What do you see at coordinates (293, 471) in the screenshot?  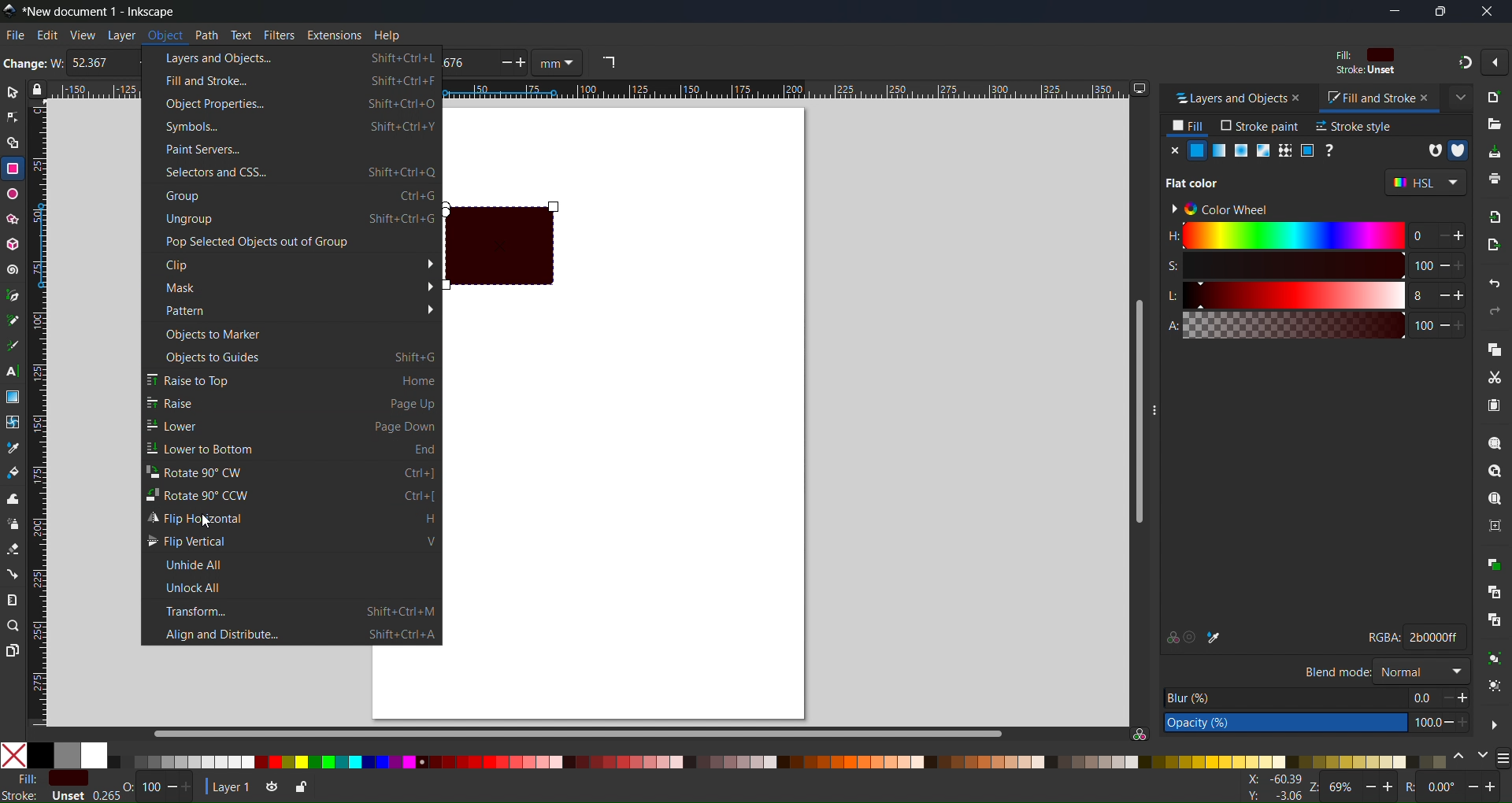 I see `Rotate 90 degree CW` at bounding box center [293, 471].